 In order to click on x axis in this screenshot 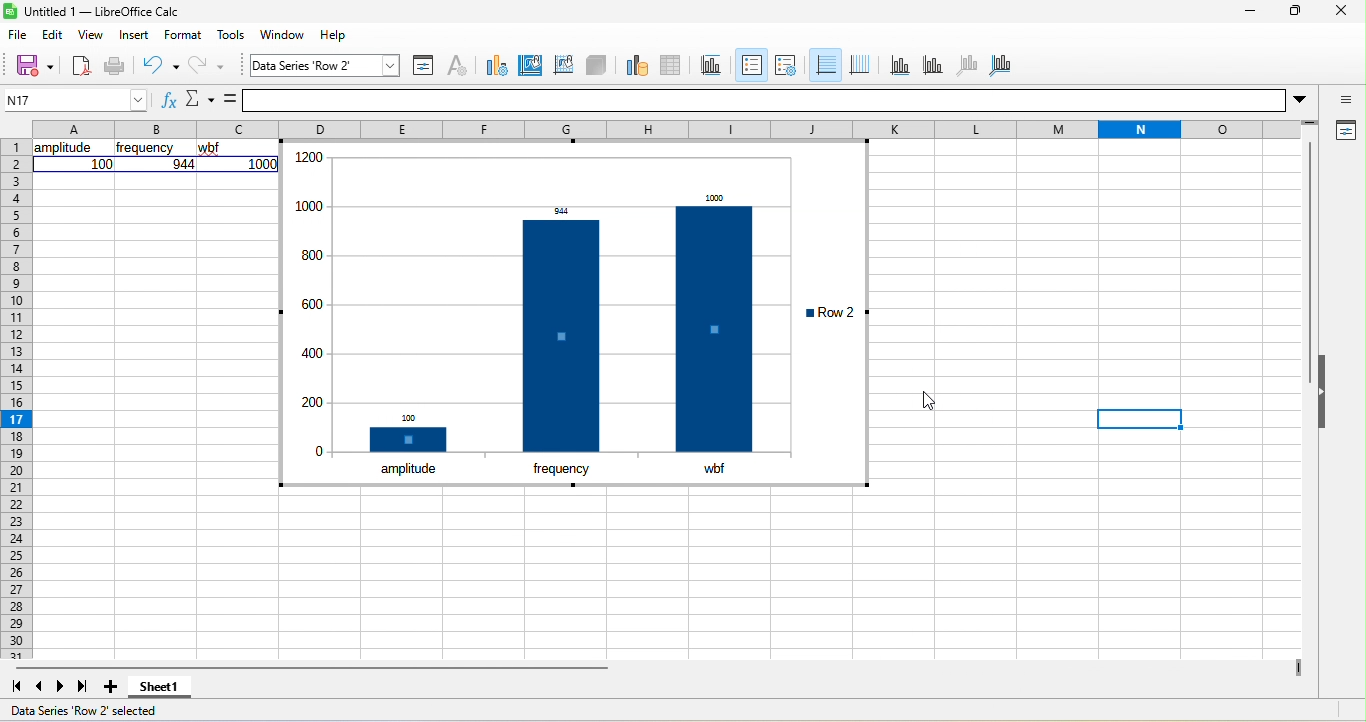, I will do `click(902, 65)`.